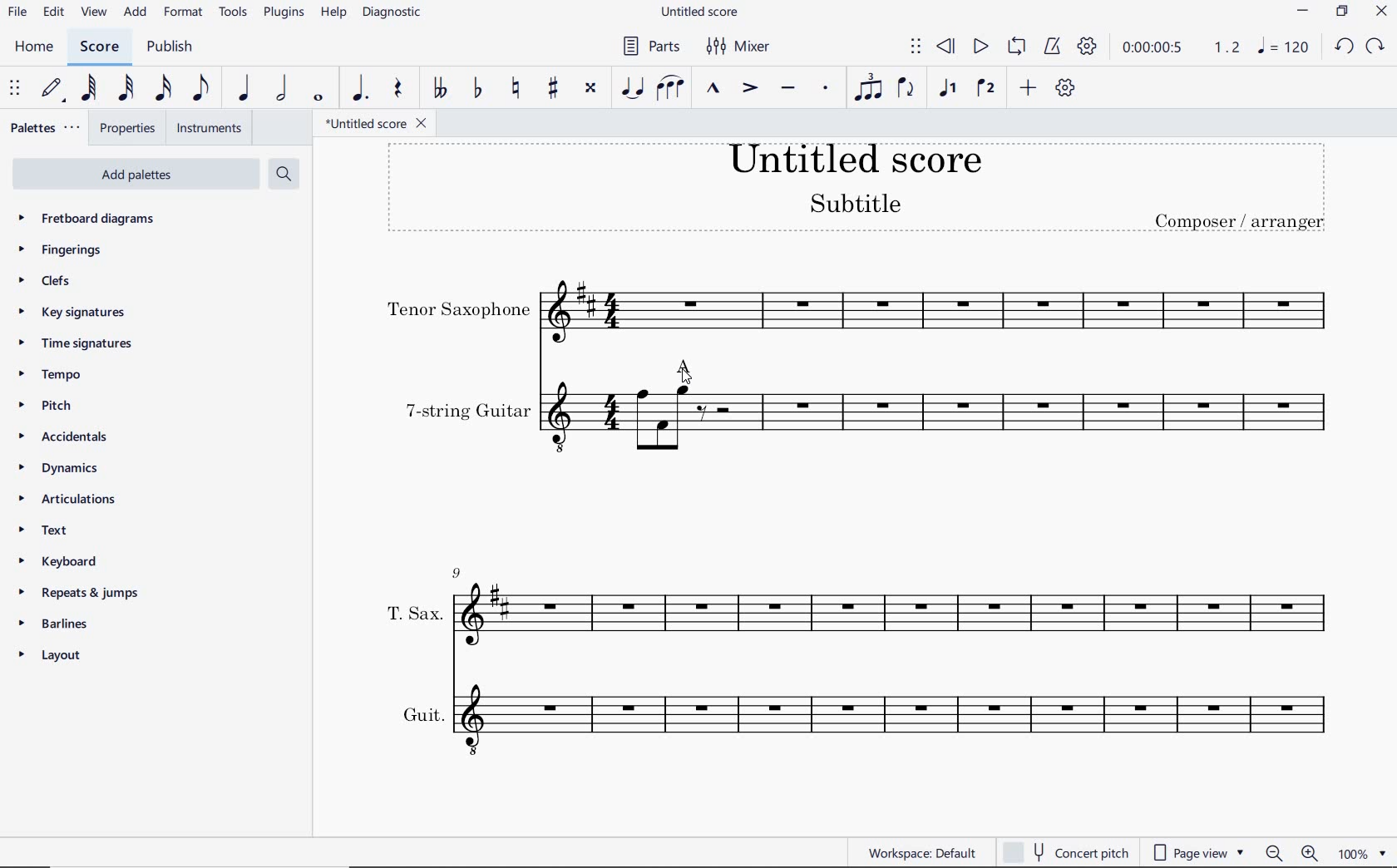  I want to click on SCORE, so click(101, 46).